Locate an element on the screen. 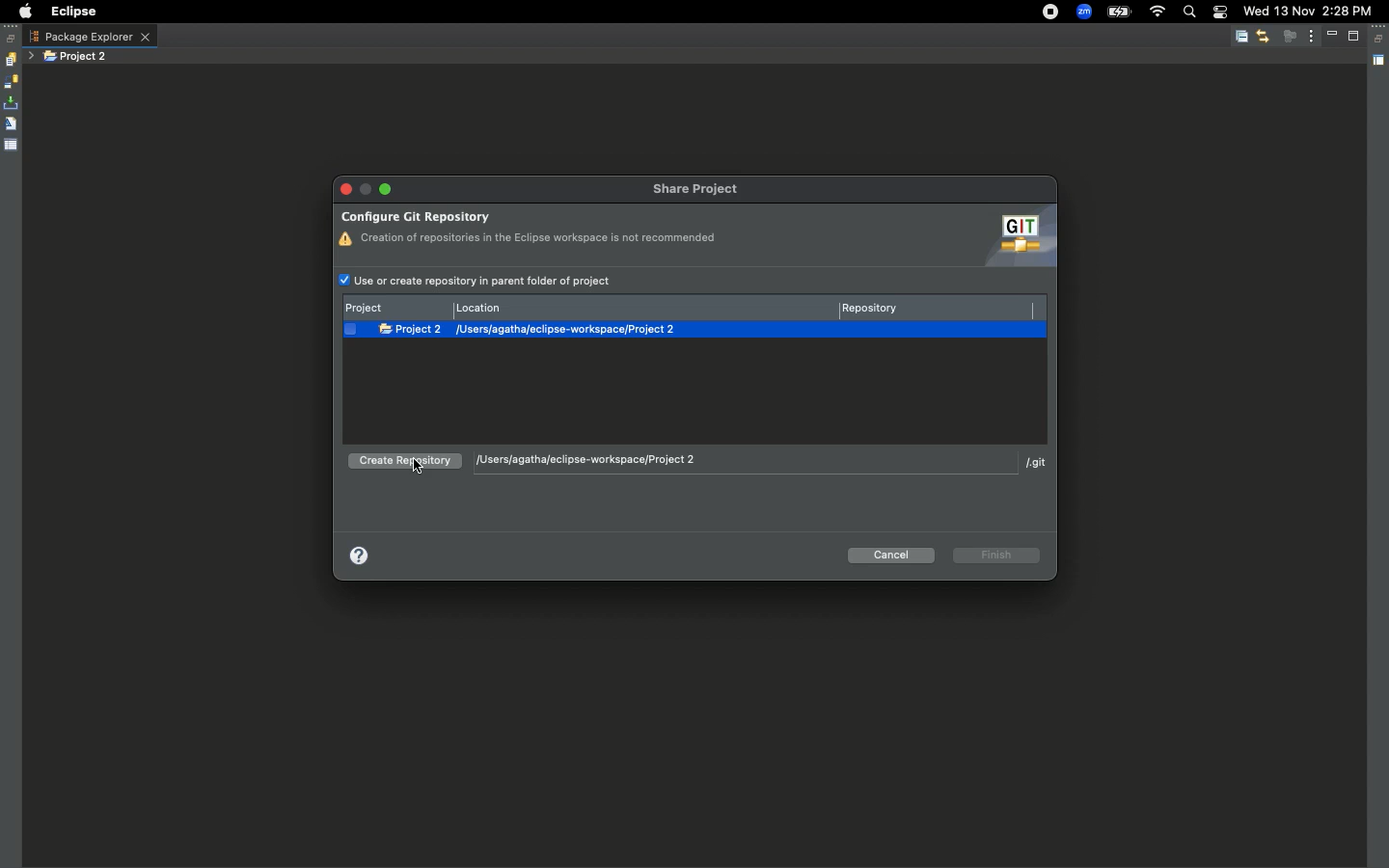 The height and width of the screenshot is (868, 1389). View menu is located at coordinates (1312, 35).